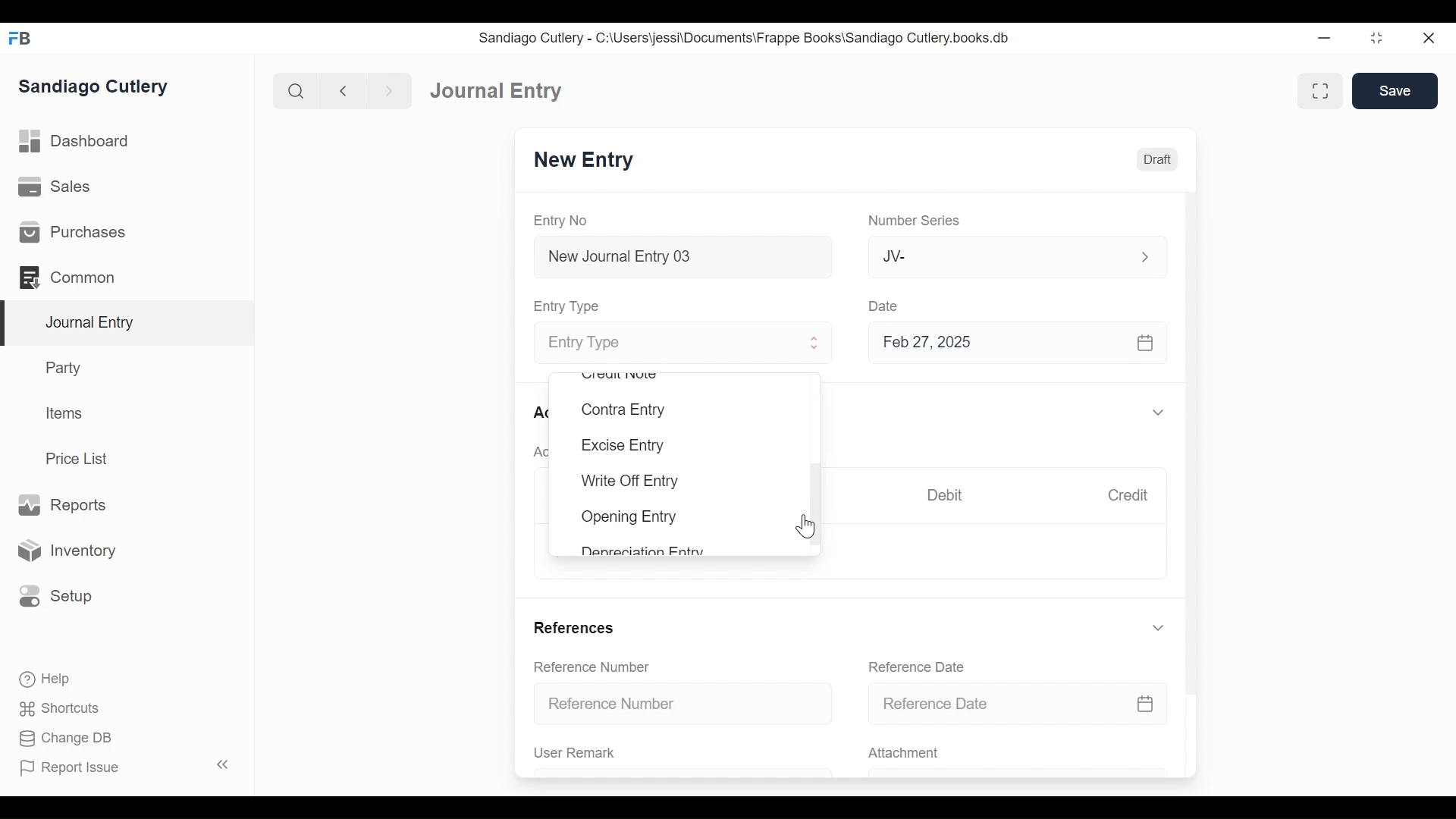 This screenshot has height=819, width=1456. What do you see at coordinates (1427, 38) in the screenshot?
I see `Close` at bounding box center [1427, 38].